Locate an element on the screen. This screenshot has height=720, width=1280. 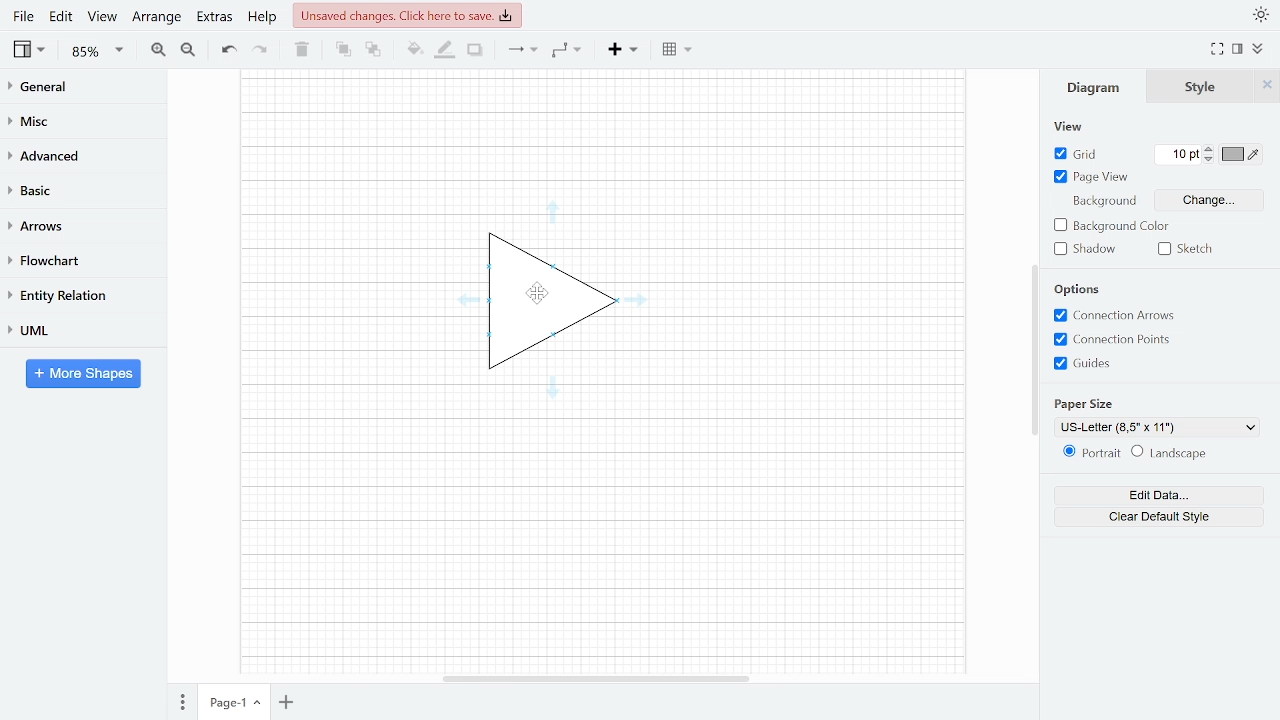
Add page is located at coordinates (286, 703).